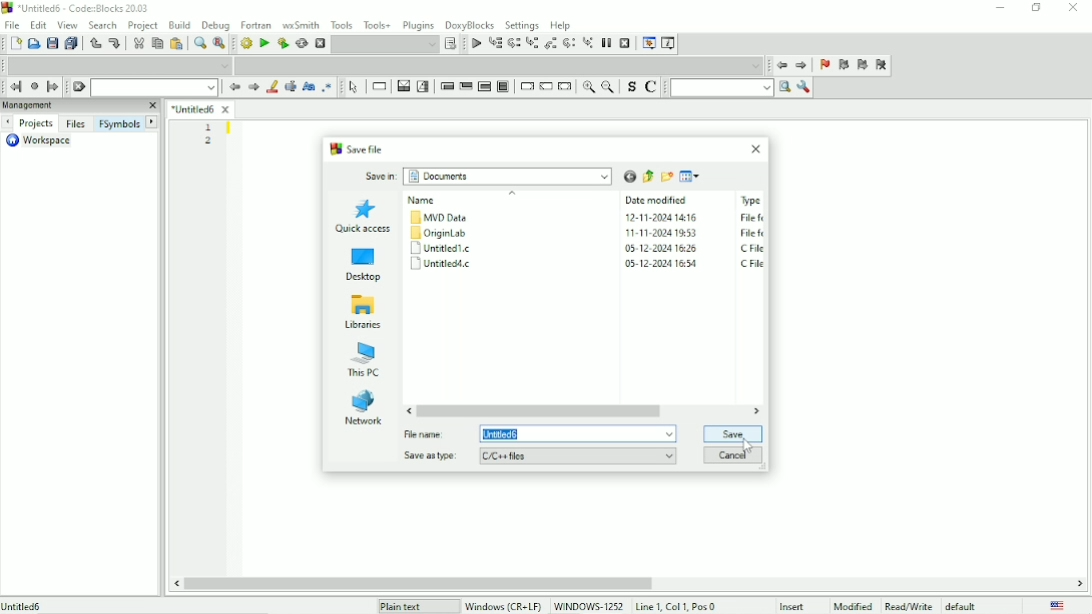 This screenshot has width=1092, height=614. I want to click on Save file, so click(358, 148).